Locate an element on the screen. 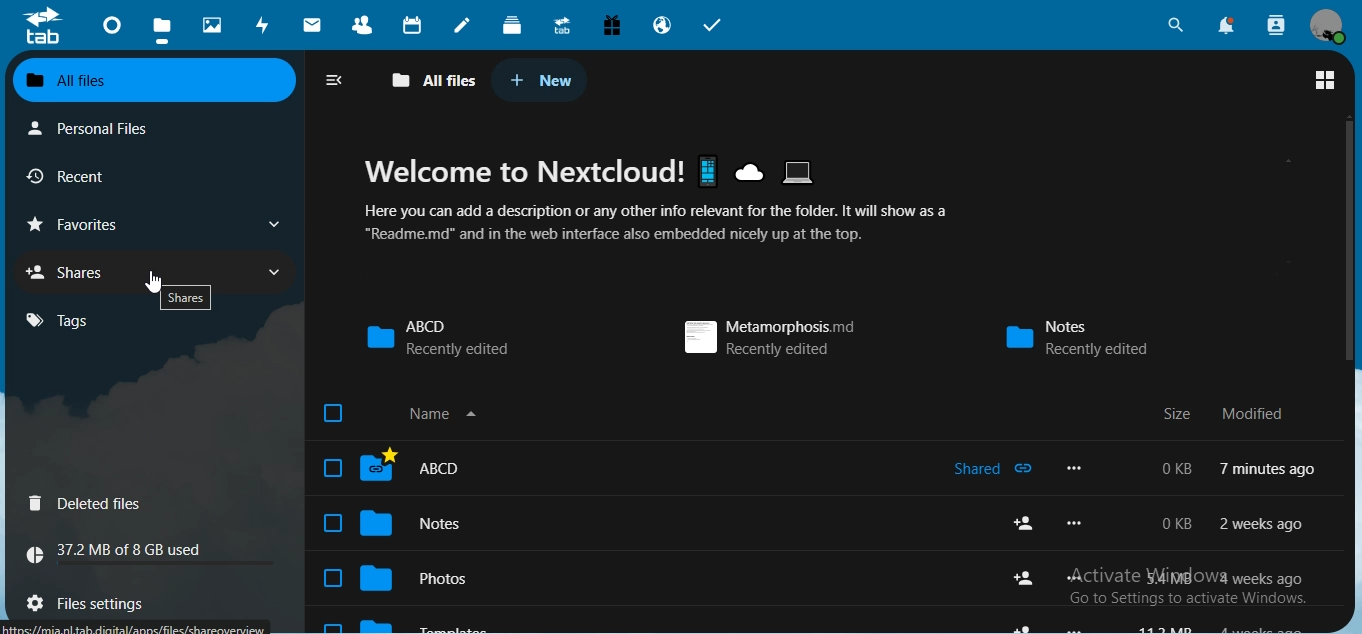 This screenshot has height=634, width=1362. reccent is located at coordinates (90, 179).